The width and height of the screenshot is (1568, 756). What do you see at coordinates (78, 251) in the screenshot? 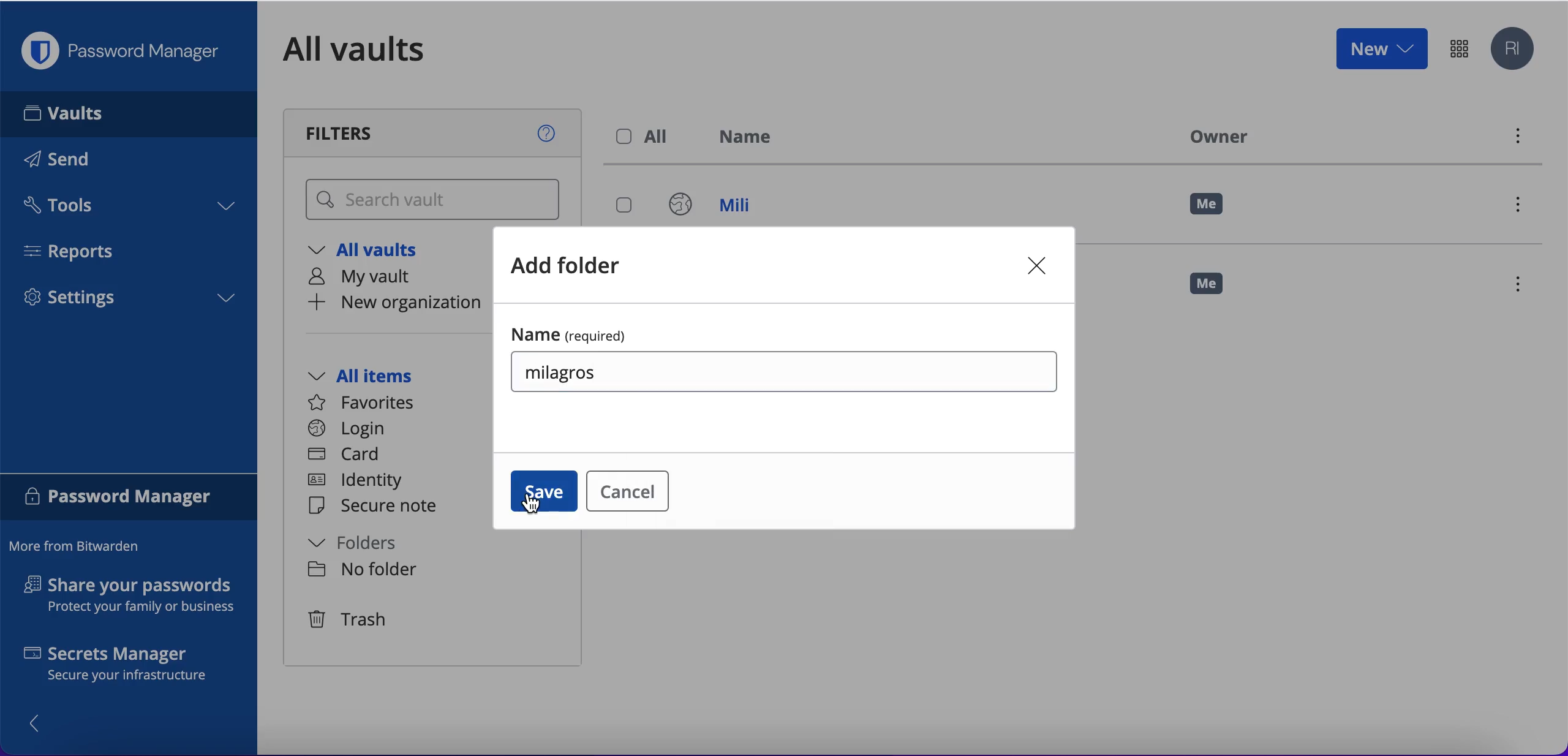
I see `reports` at bounding box center [78, 251].